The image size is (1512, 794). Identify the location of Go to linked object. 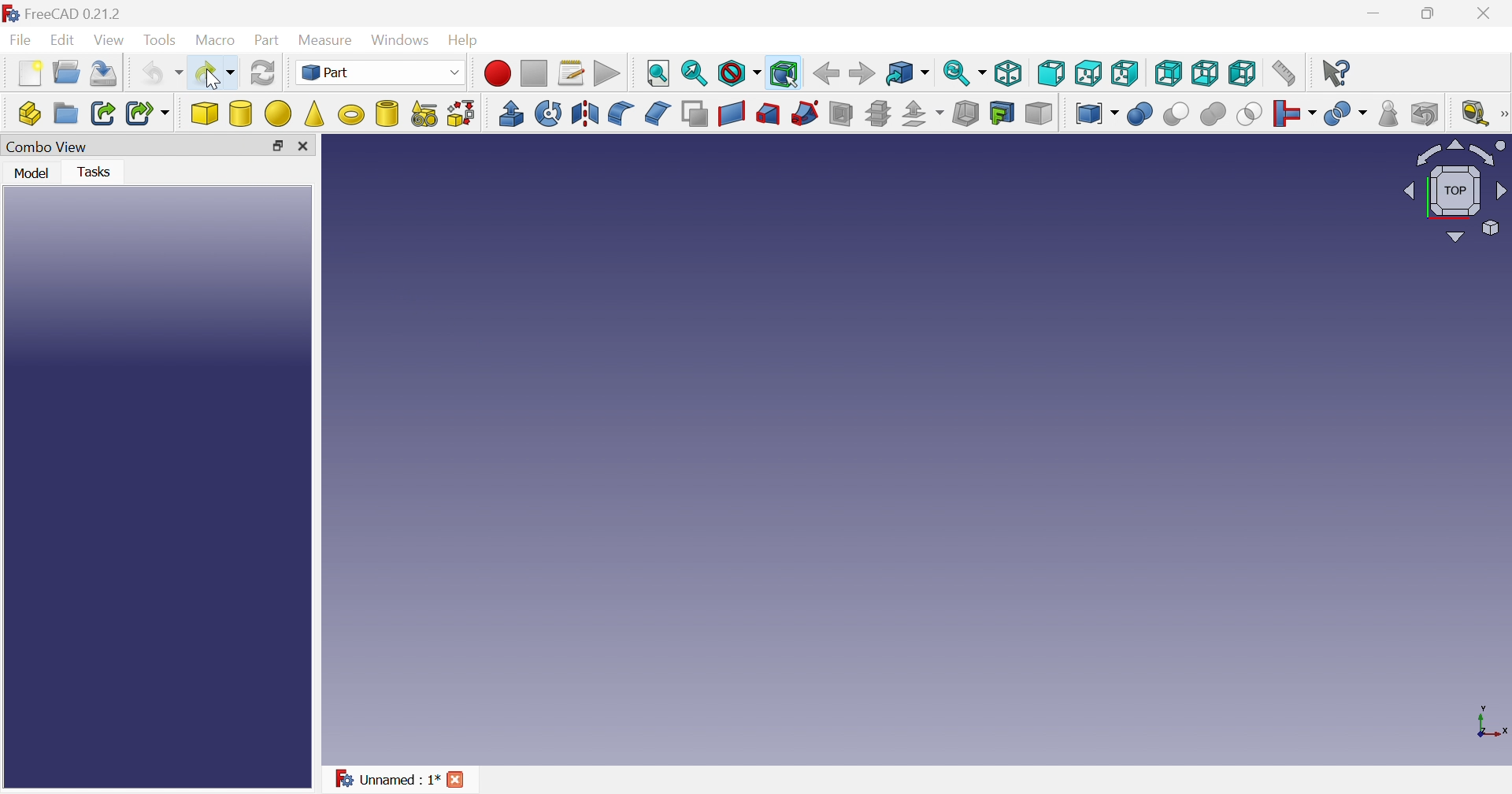
(906, 74).